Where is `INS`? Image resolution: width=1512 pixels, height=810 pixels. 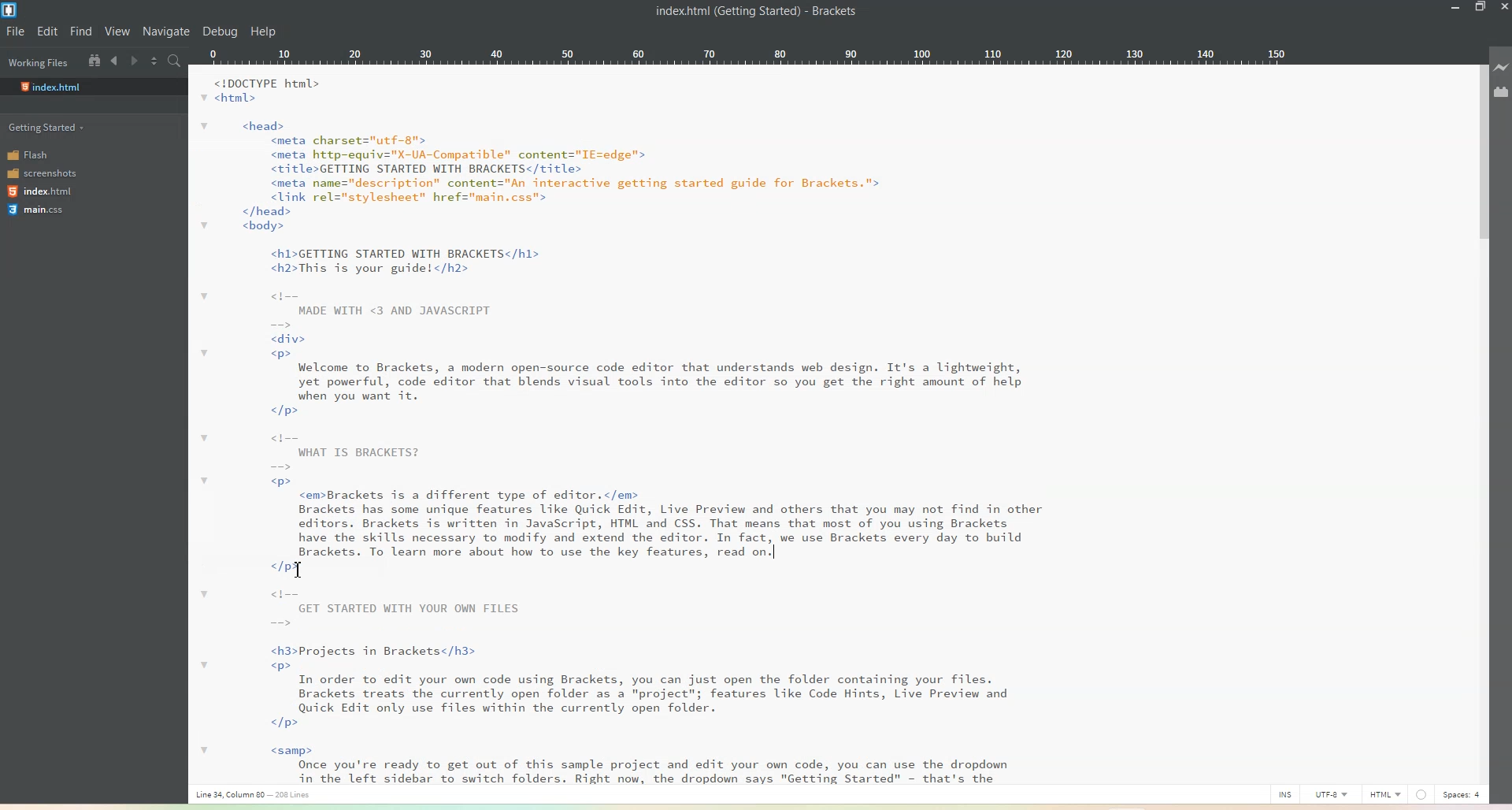
INS is located at coordinates (1280, 794).